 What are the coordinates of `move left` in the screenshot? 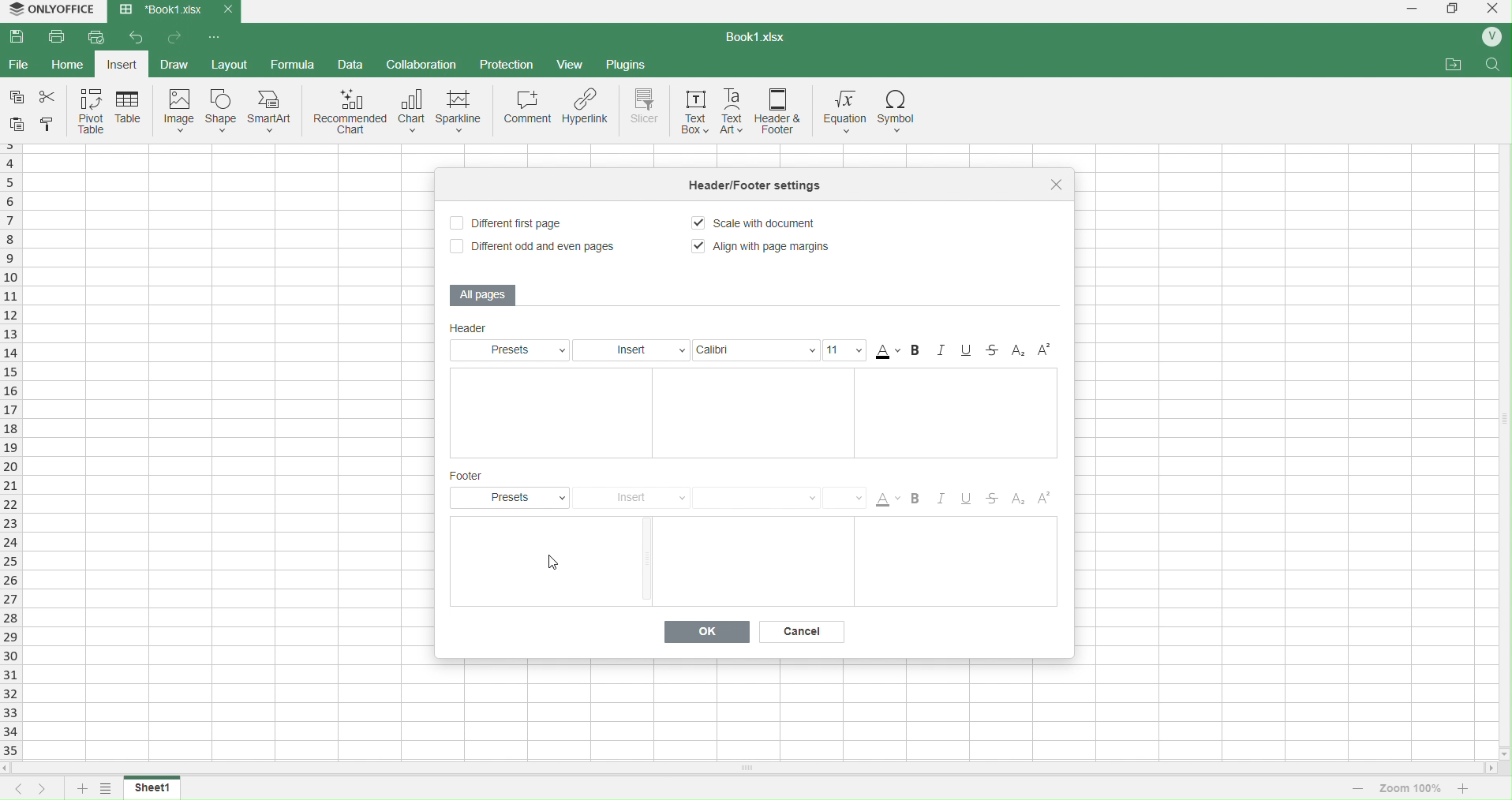 It's located at (9, 768).